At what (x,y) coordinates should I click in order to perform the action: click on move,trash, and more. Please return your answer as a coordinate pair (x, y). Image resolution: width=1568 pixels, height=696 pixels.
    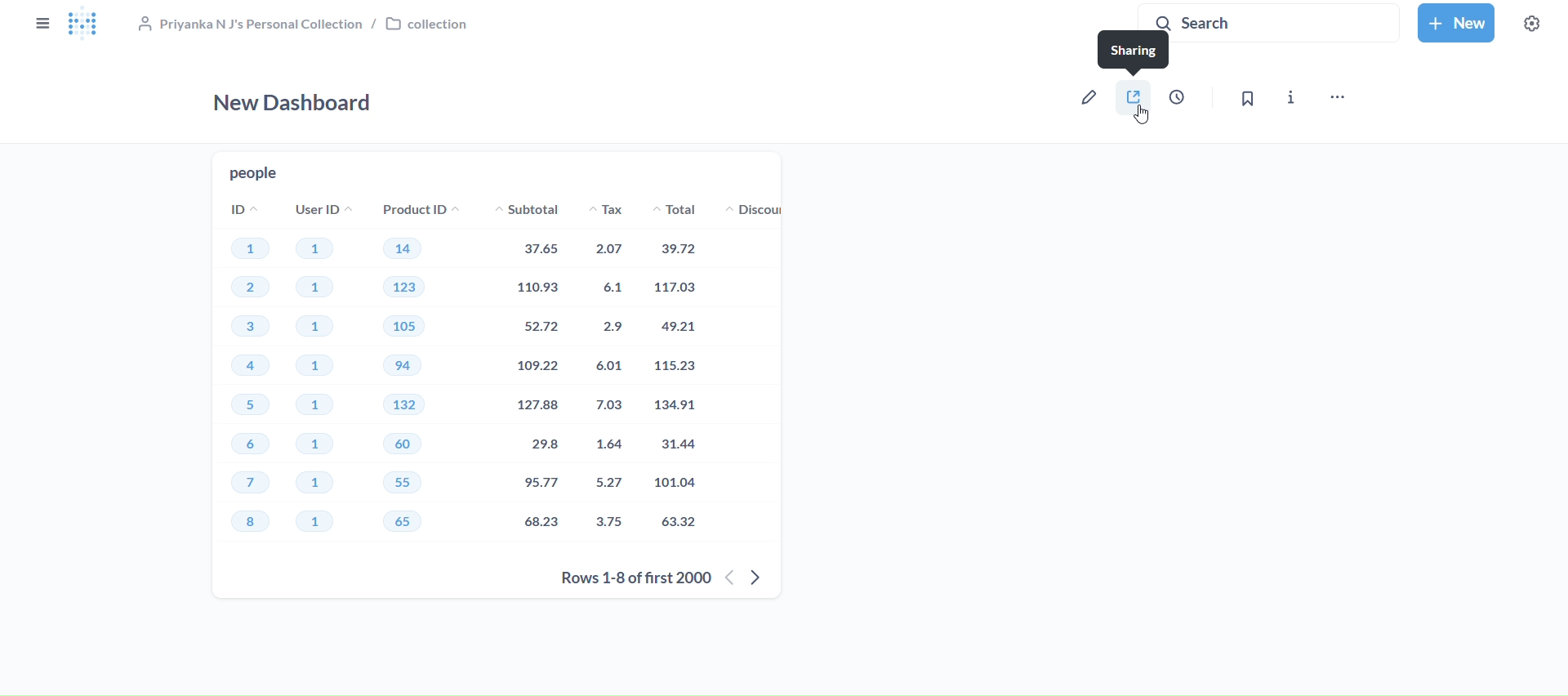
    Looking at the image, I should click on (1343, 98).